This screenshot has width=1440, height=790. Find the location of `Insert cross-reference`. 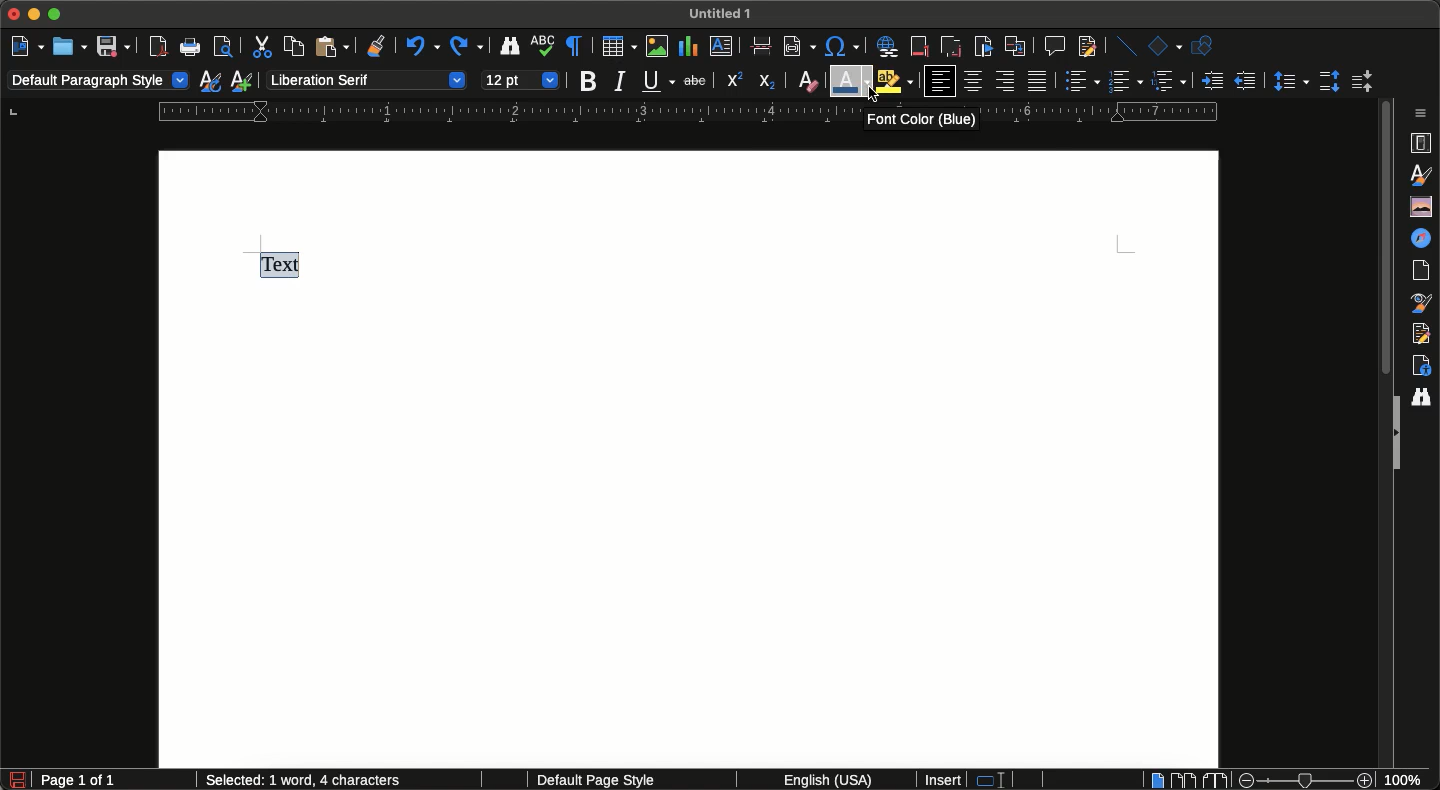

Insert cross-reference is located at coordinates (1014, 46).